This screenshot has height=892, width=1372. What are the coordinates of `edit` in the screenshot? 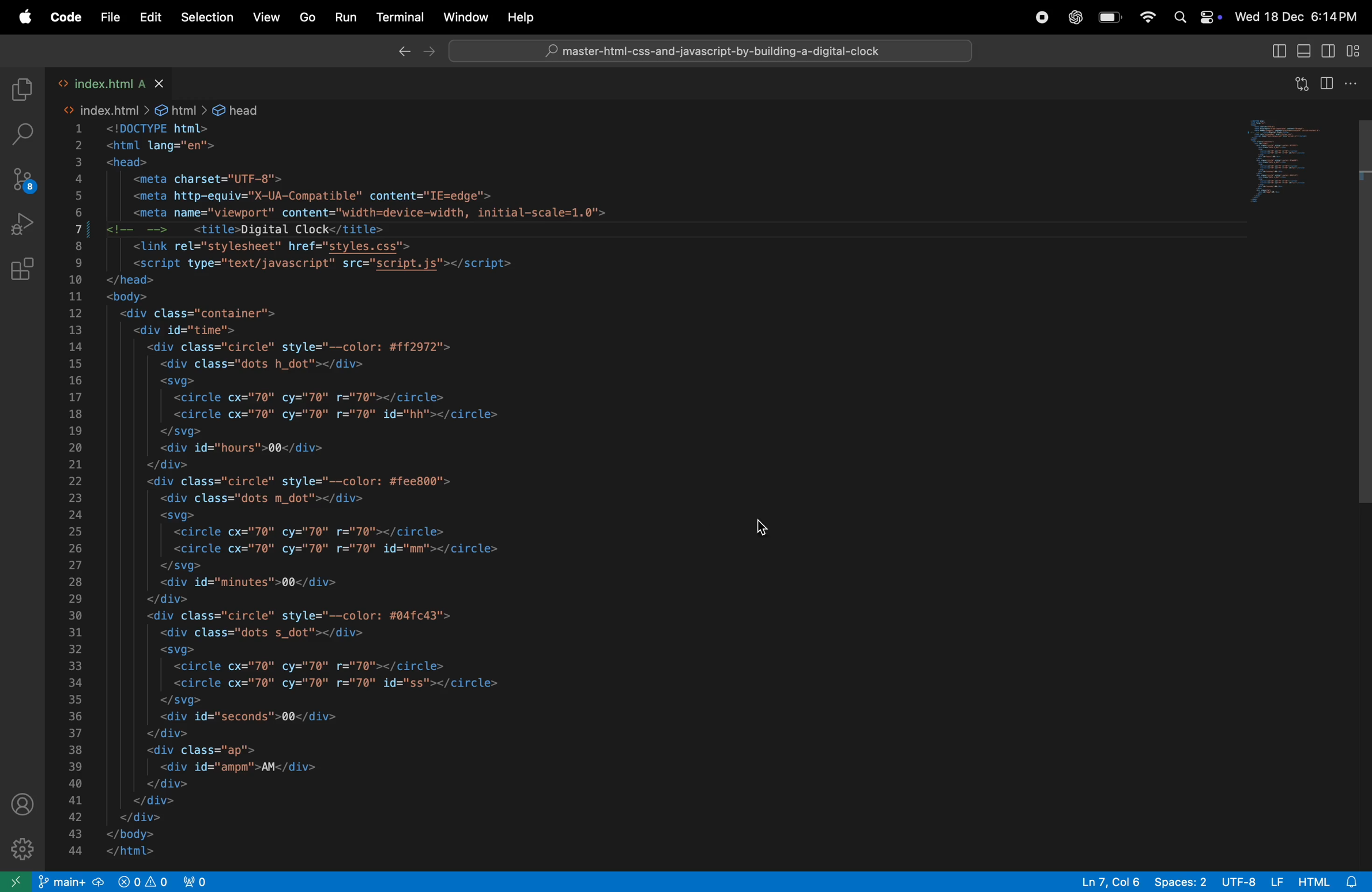 It's located at (151, 18).